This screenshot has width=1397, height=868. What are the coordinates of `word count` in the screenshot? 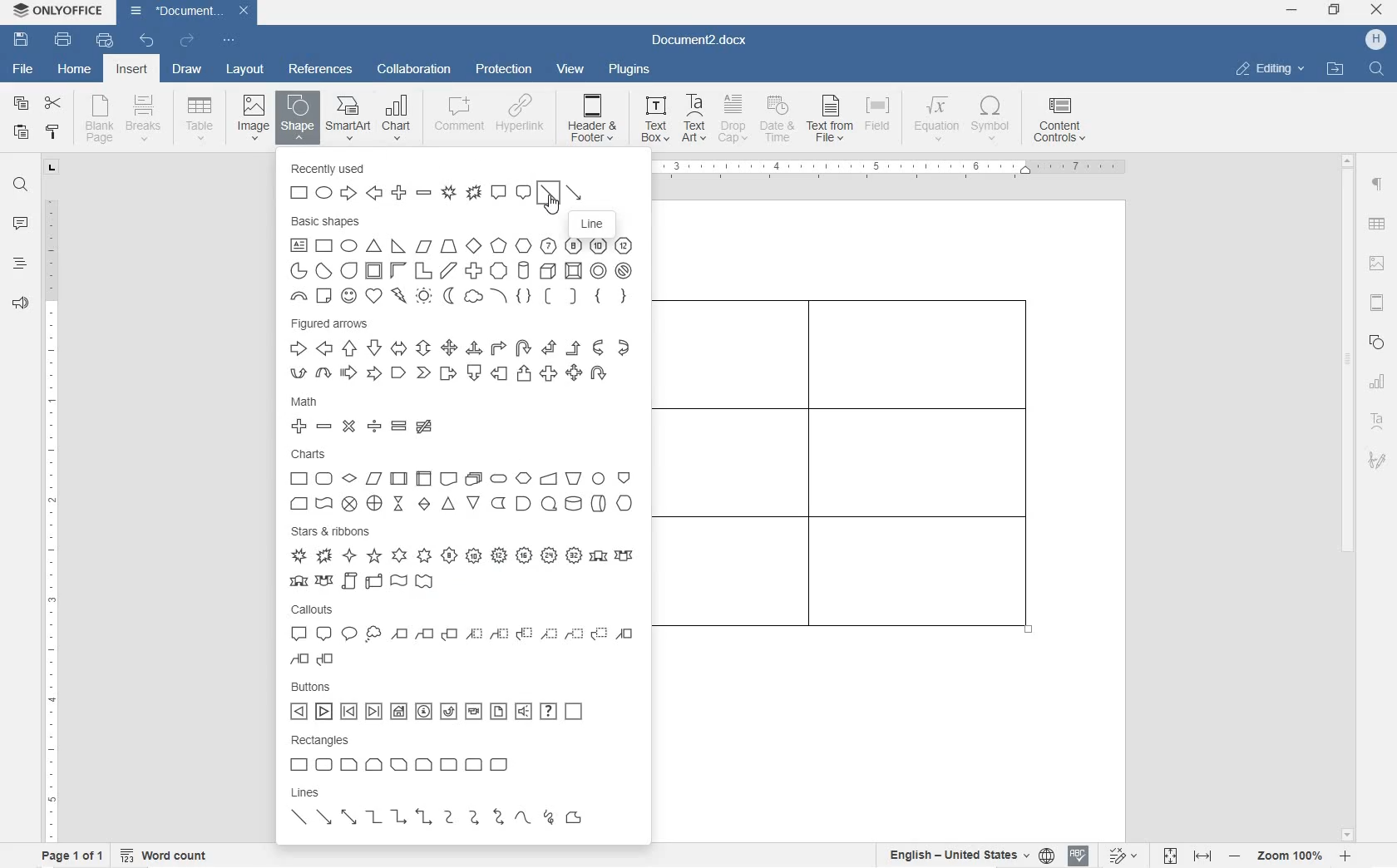 It's located at (165, 855).